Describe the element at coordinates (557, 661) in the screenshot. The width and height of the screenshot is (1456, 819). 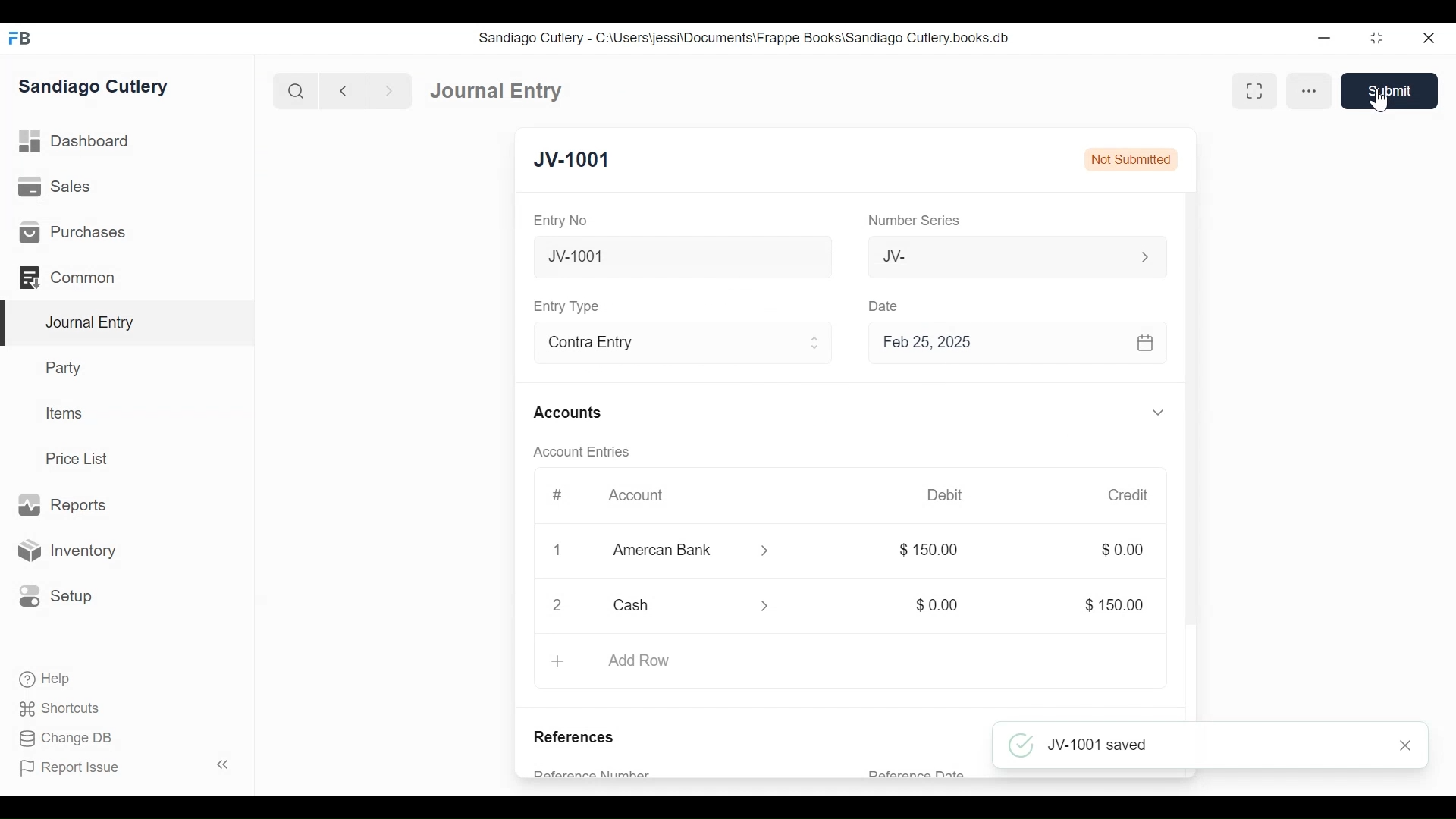
I see `+` at that location.